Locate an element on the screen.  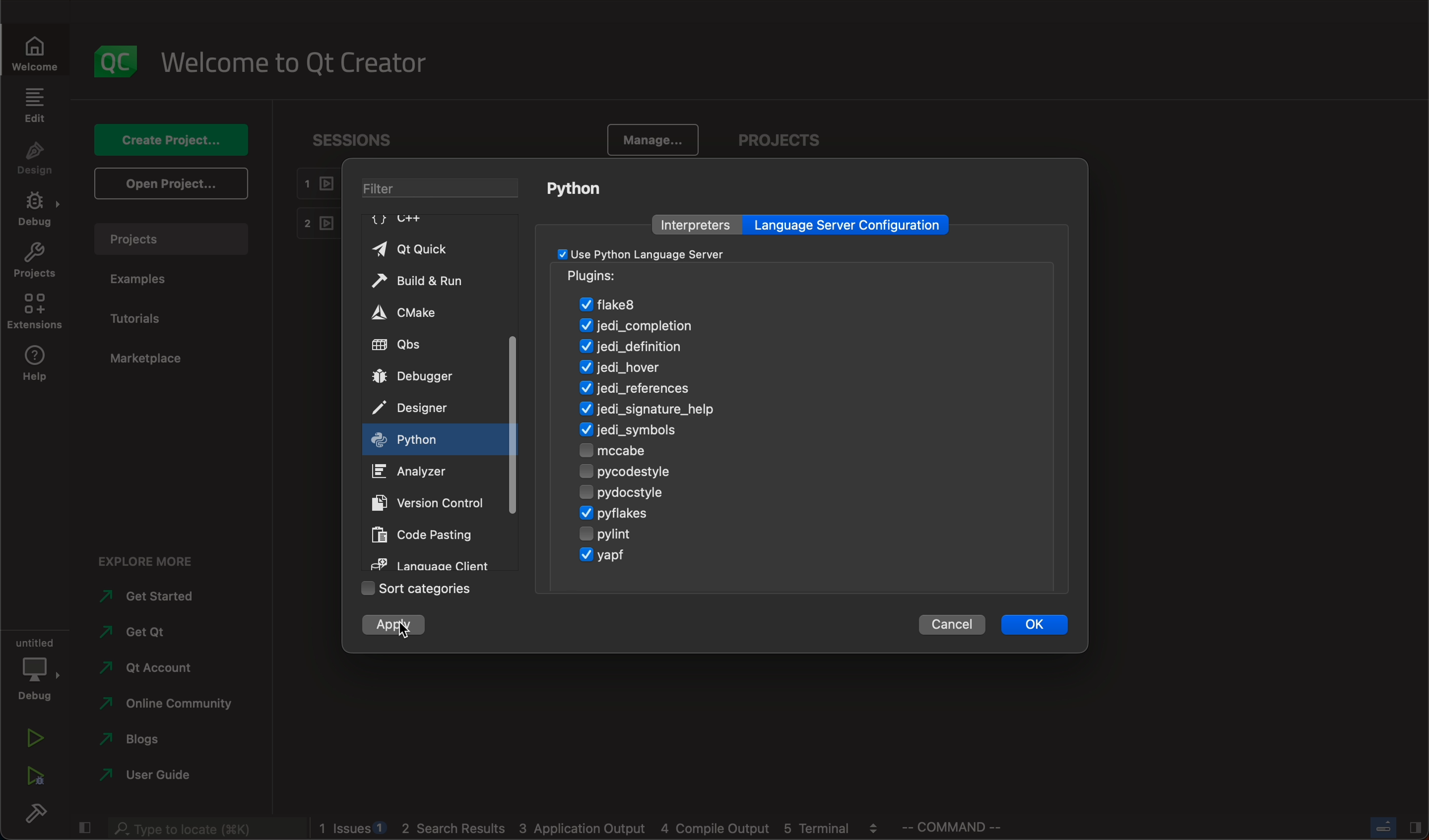
search bar is located at coordinates (204, 828).